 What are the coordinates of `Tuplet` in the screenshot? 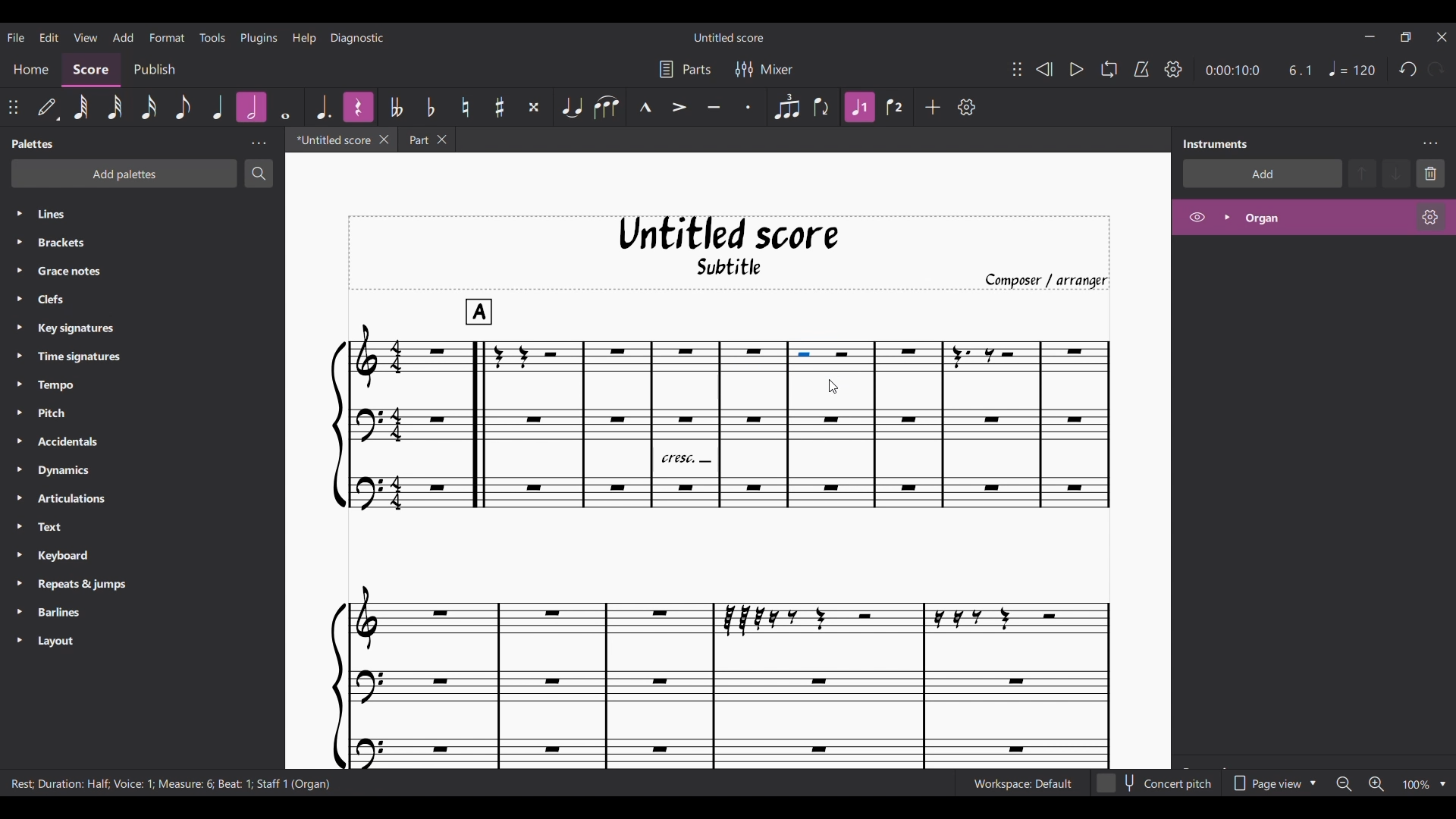 It's located at (787, 108).